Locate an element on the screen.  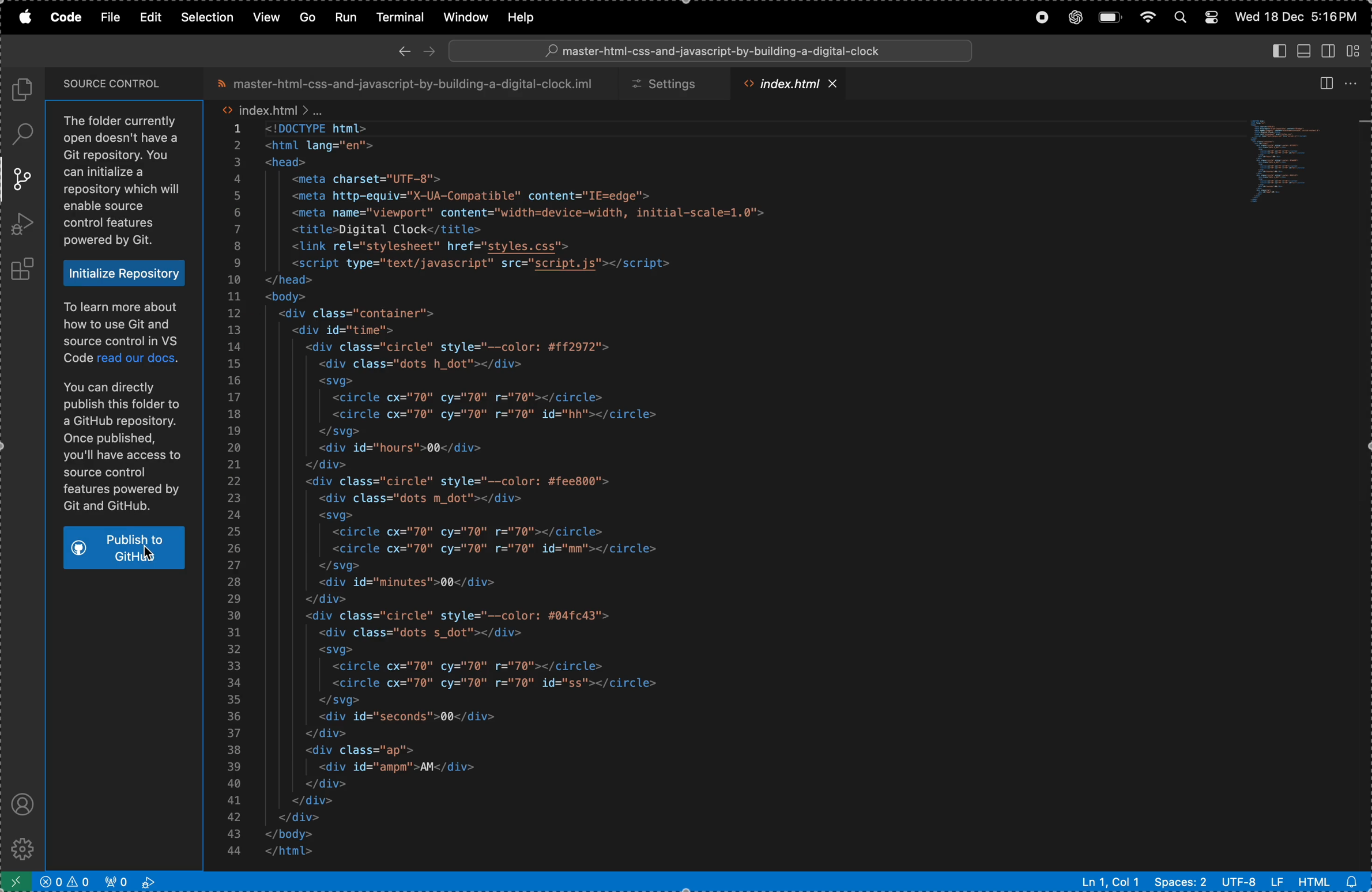
chatgpt is located at coordinates (1073, 18).